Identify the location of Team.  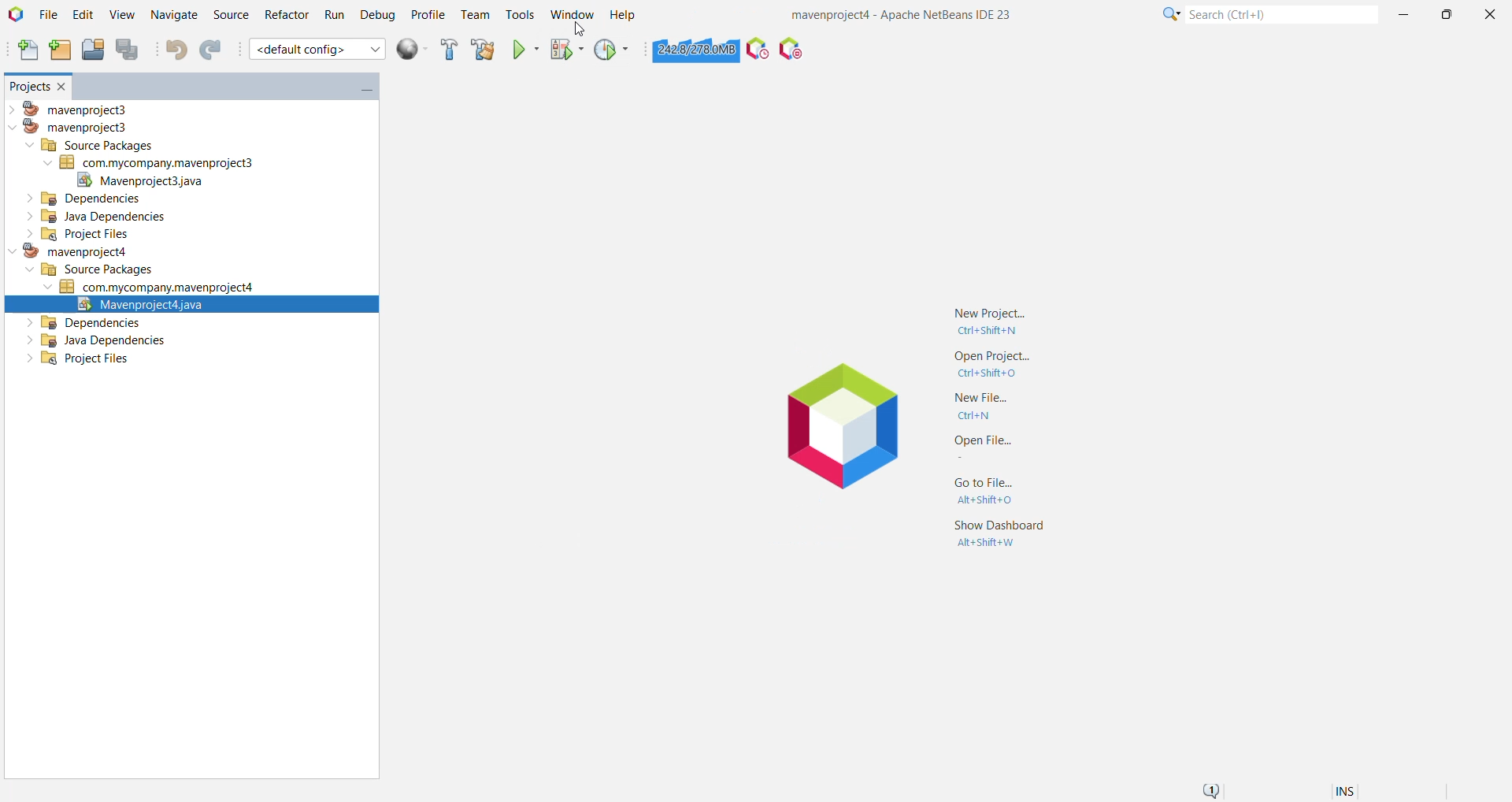
(475, 16).